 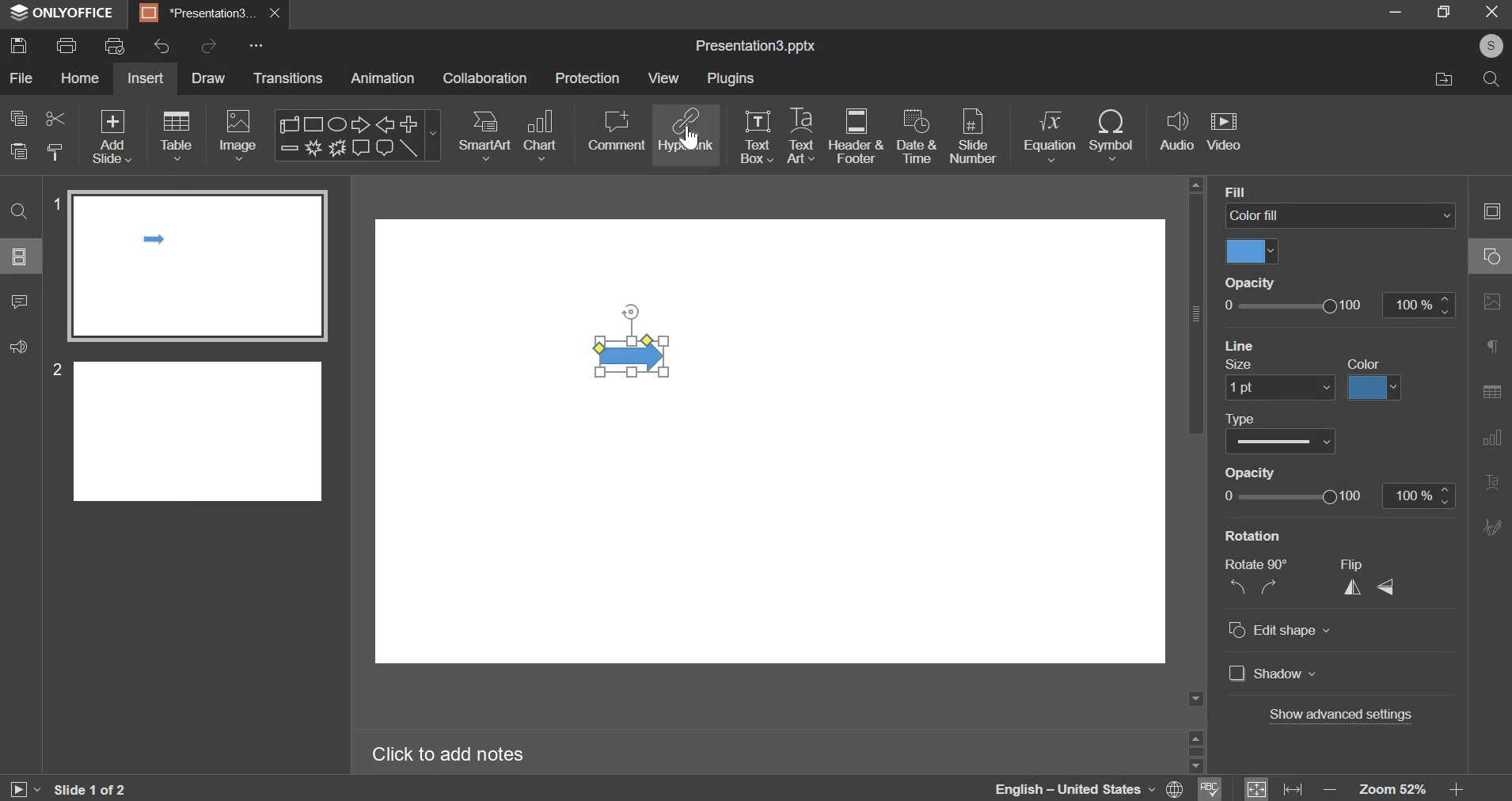 What do you see at coordinates (1256, 789) in the screenshot?
I see `fit to slide` at bounding box center [1256, 789].